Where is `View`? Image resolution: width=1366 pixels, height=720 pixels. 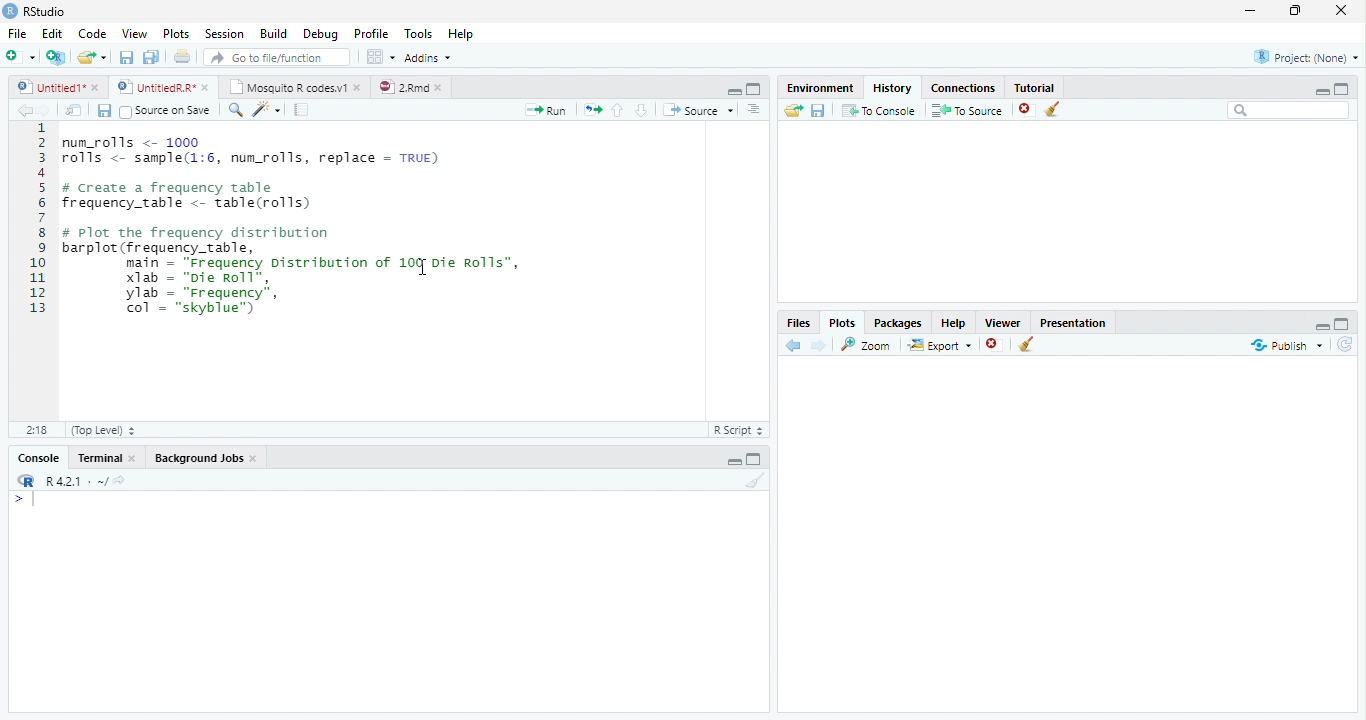
View is located at coordinates (135, 32).